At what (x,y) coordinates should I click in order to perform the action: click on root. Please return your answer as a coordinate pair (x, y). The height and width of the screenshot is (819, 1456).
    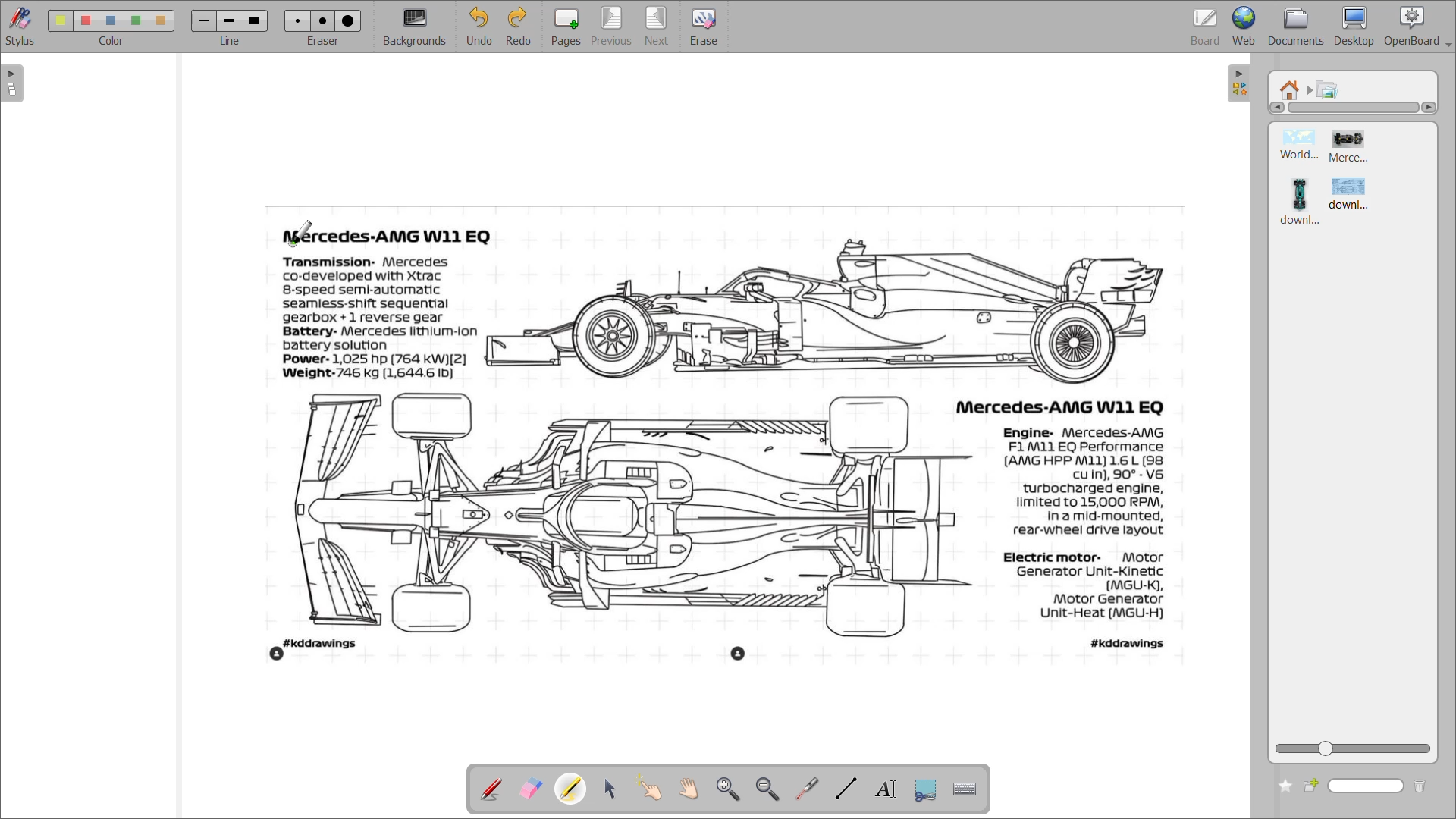
    Looking at the image, I should click on (1290, 91).